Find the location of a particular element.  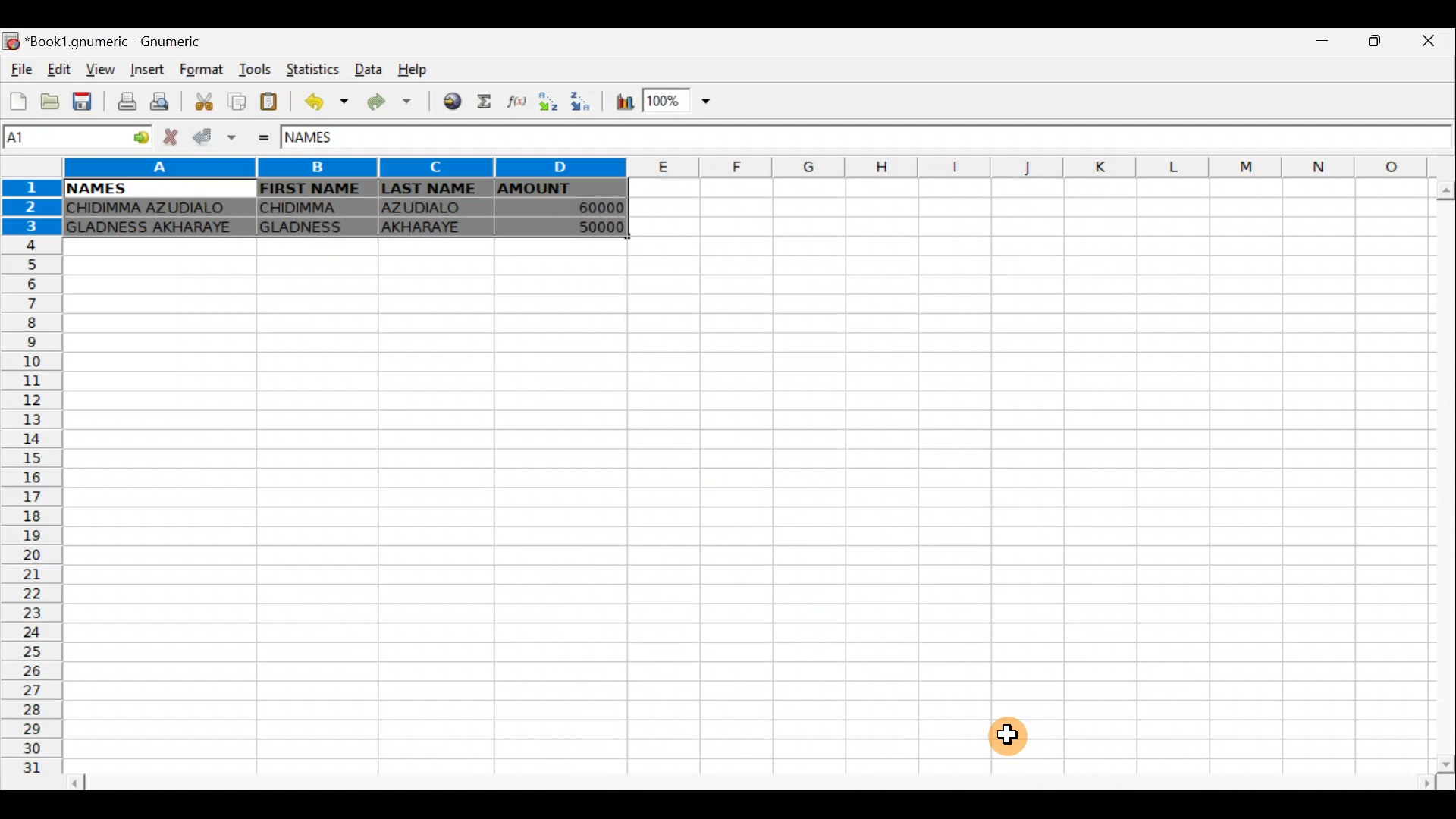

Close is located at coordinates (1434, 41).